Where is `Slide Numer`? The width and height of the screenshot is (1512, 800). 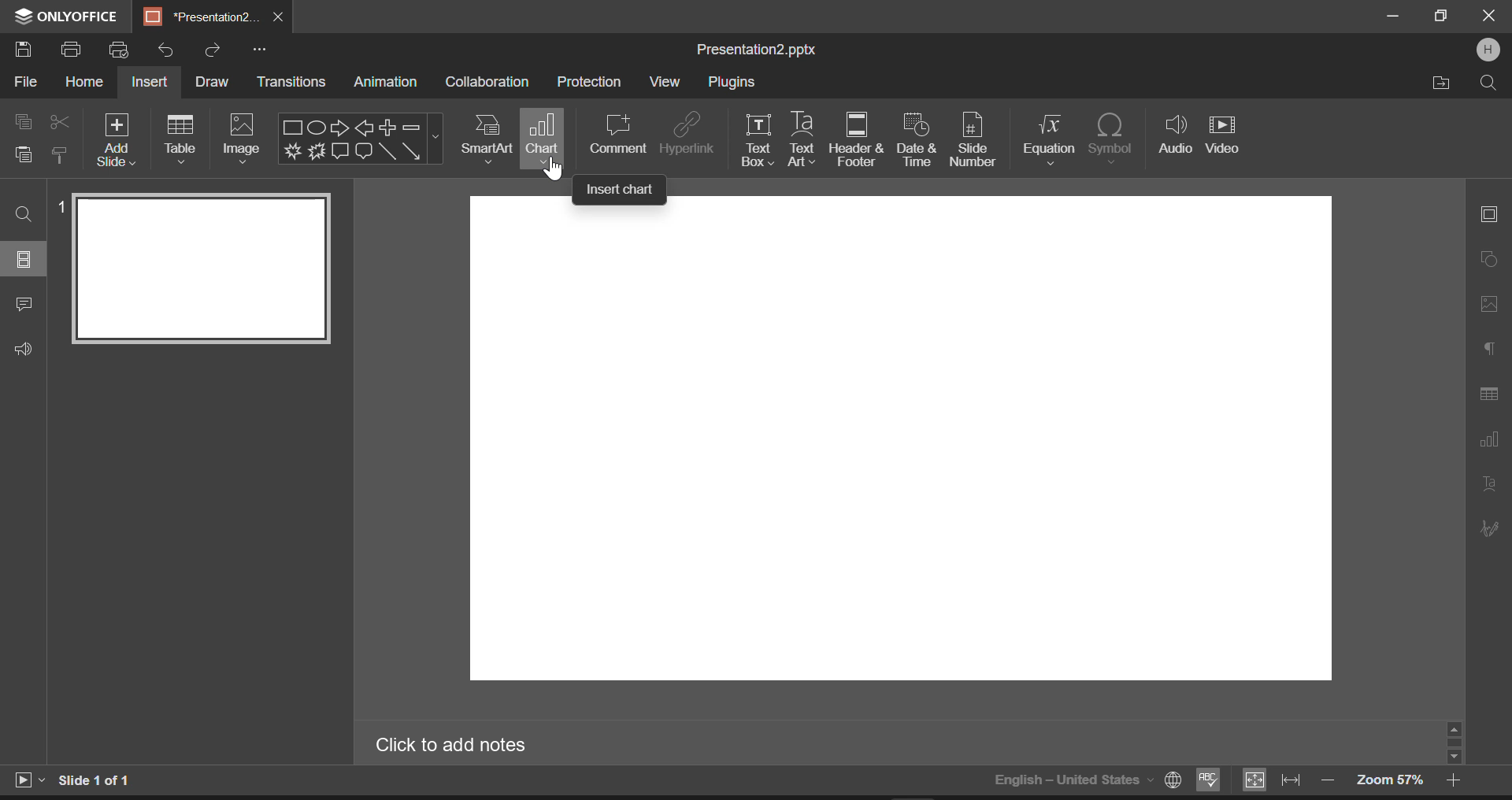 Slide Numer is located at coordinates (975, 138).